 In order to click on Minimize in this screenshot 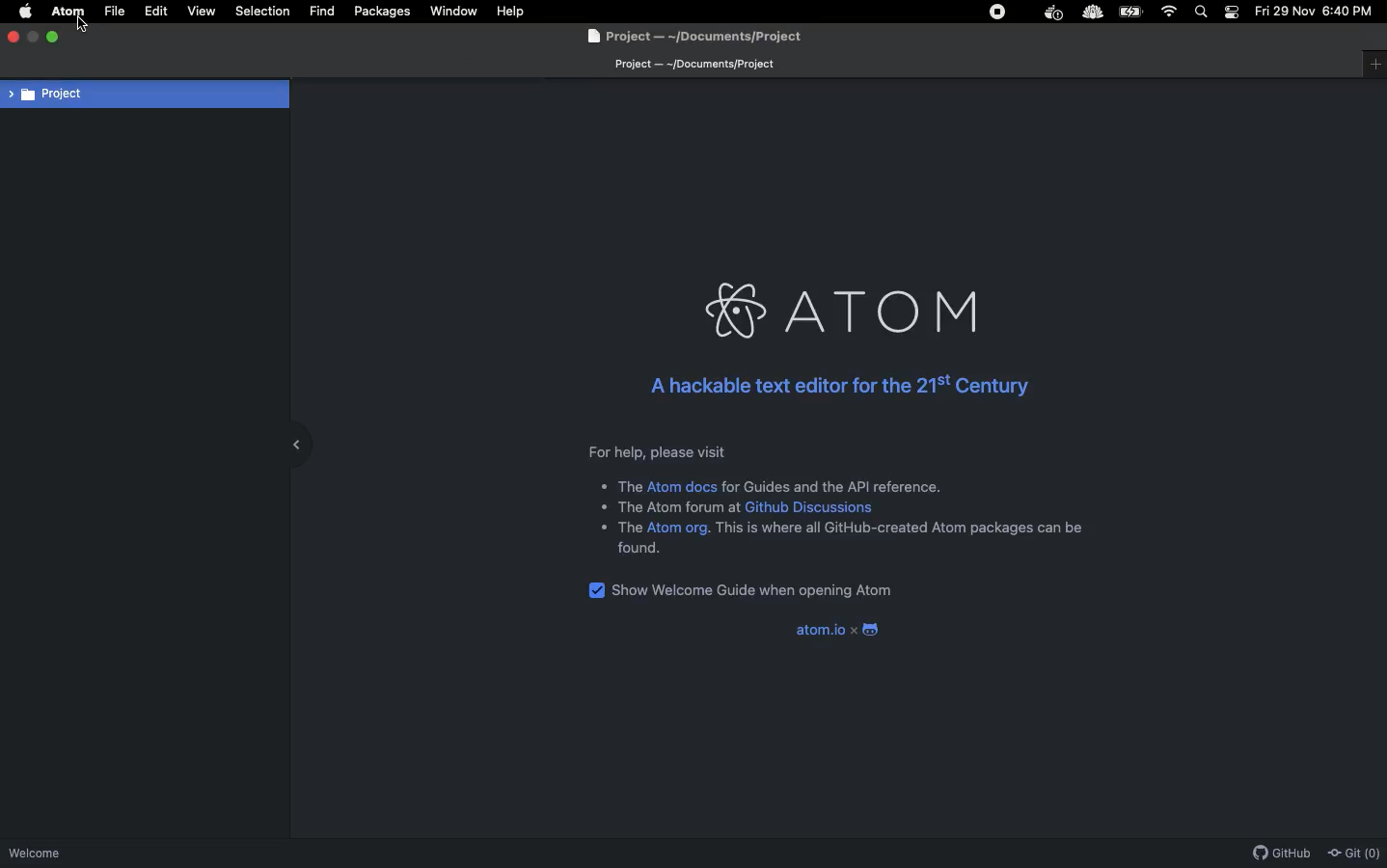, I will do `click(290, 443)`.